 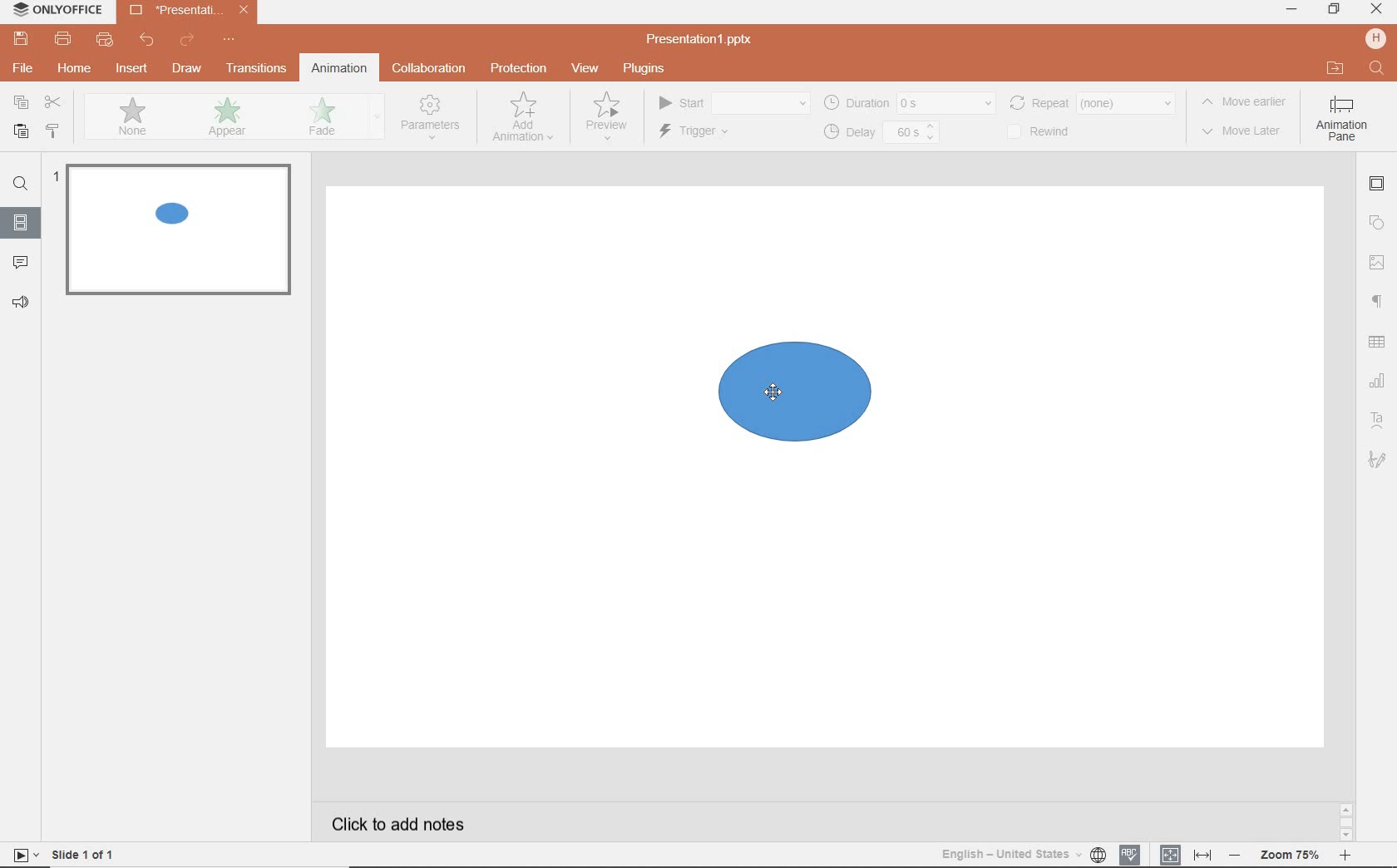 What do you see at coordinates (186, 41) in the screenshot?
I see `redo` at bounding box center [186, 41].